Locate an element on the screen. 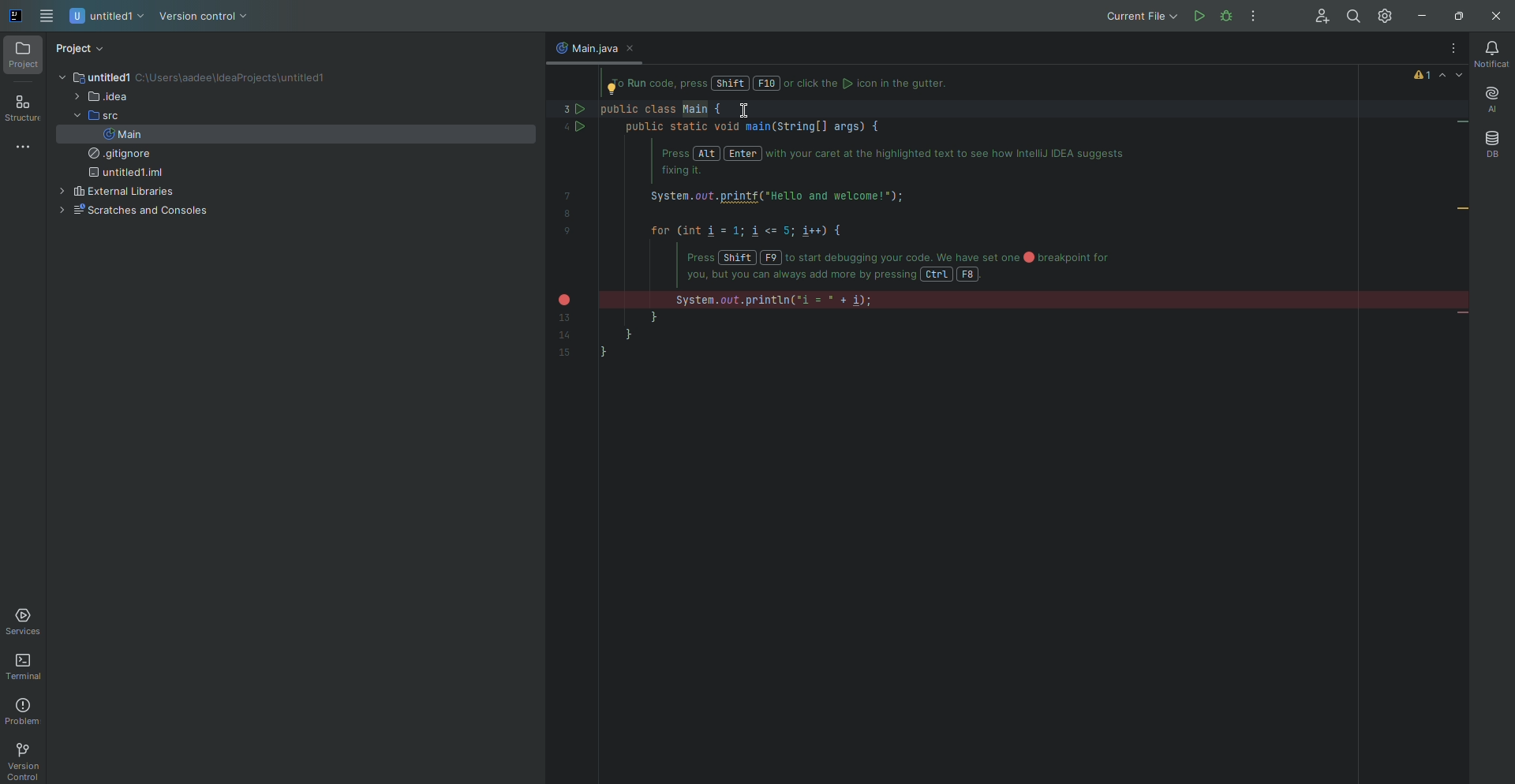  Services is located at coordinates (26, 622).